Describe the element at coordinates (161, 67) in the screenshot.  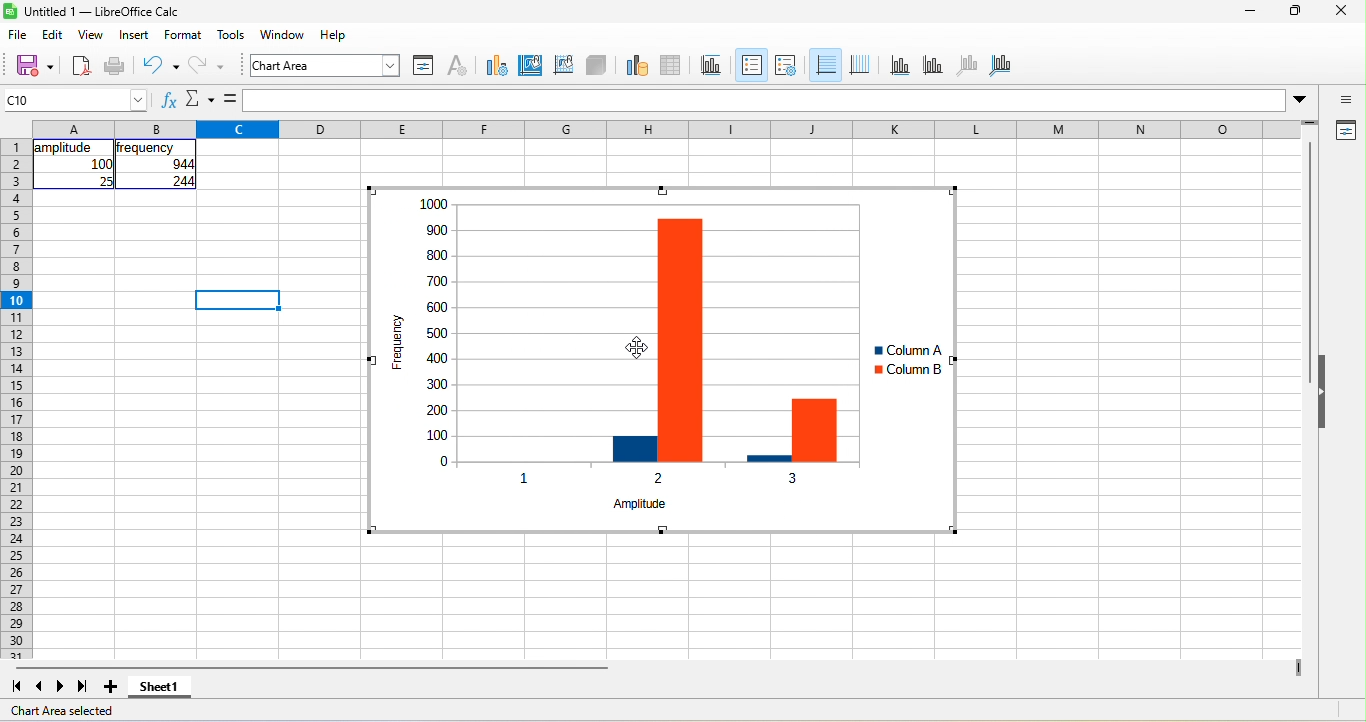
I see `undo` at that location.